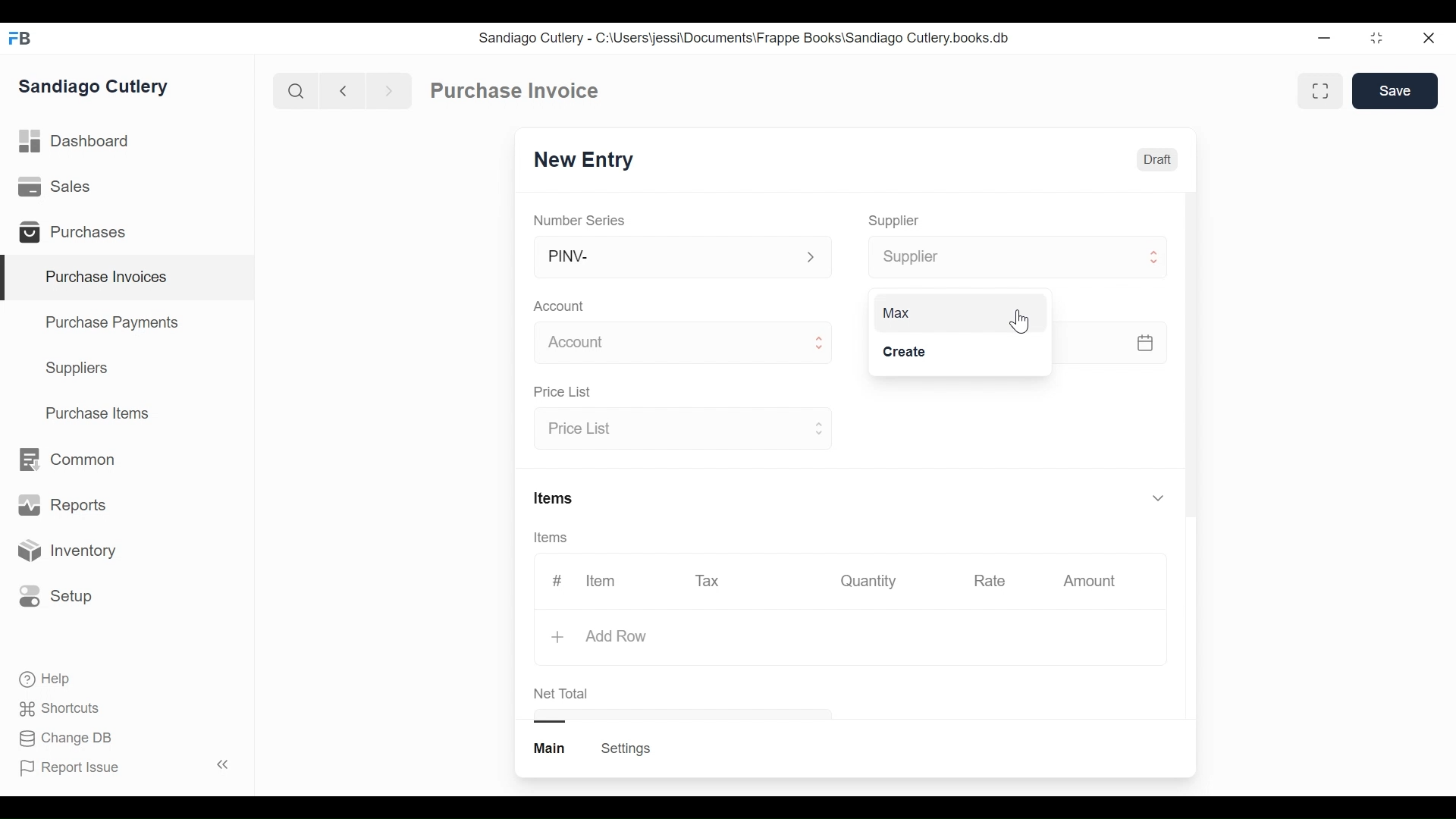 Image resolution: width=1456 pixels, height=819 pixels. I want to click on Item, so click(599, 581).